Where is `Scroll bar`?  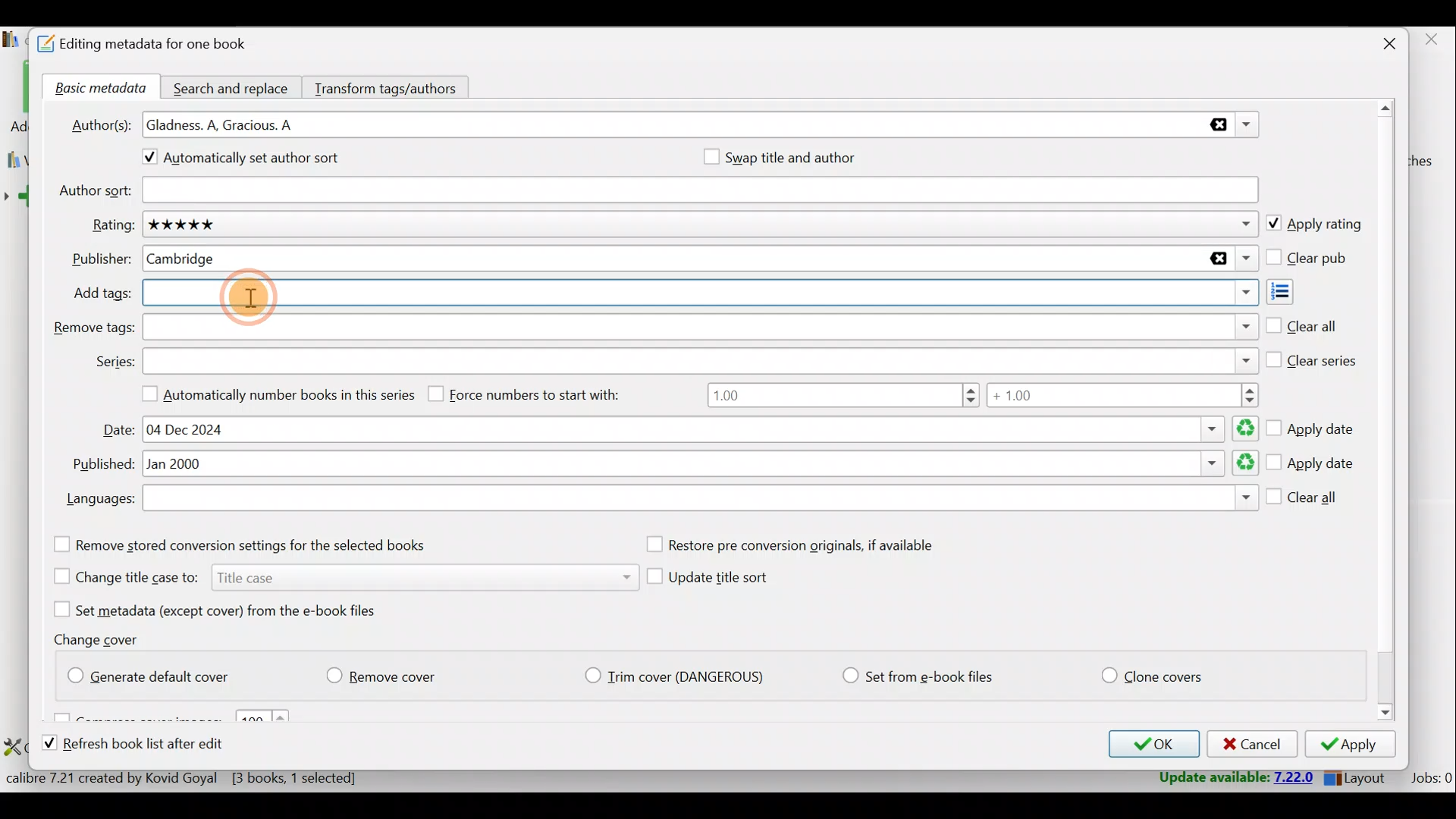 Scroll bar is located at coordinates (1387, 413).